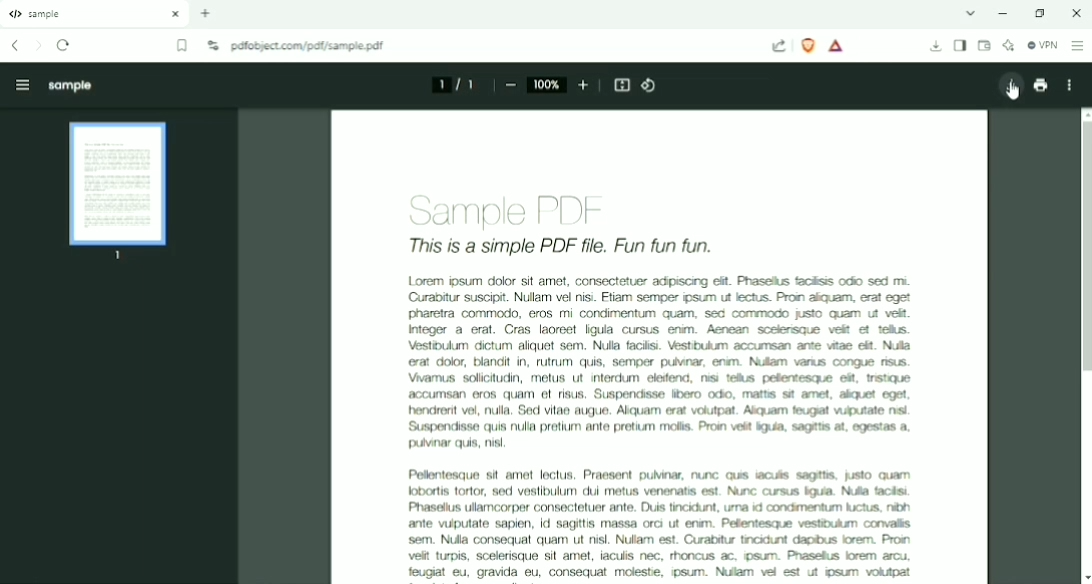  I want to click on Bookmark this tab, so click(183, 46).